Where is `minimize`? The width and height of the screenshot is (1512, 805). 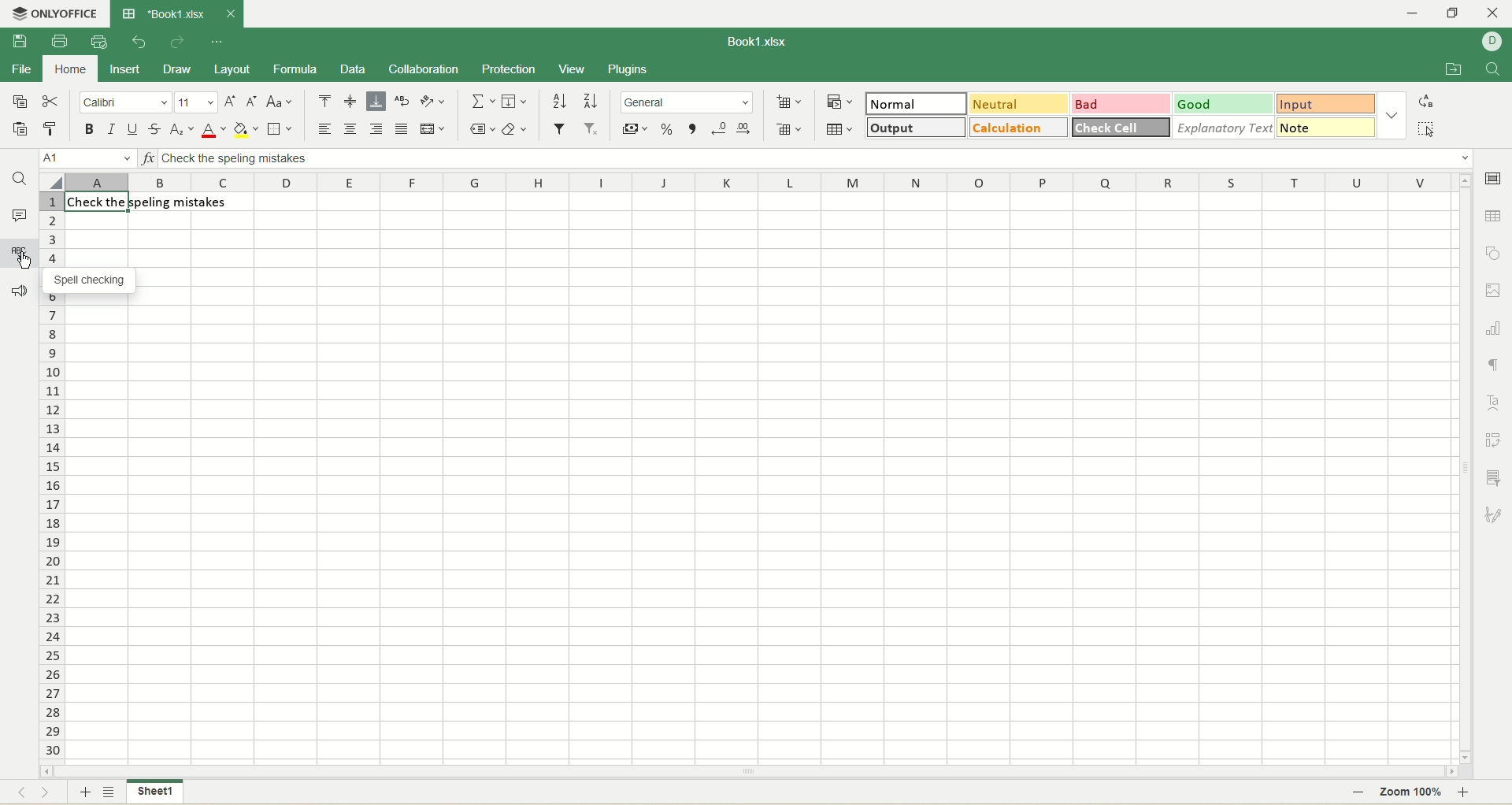
minimize is located at coordinates (1417, 13).